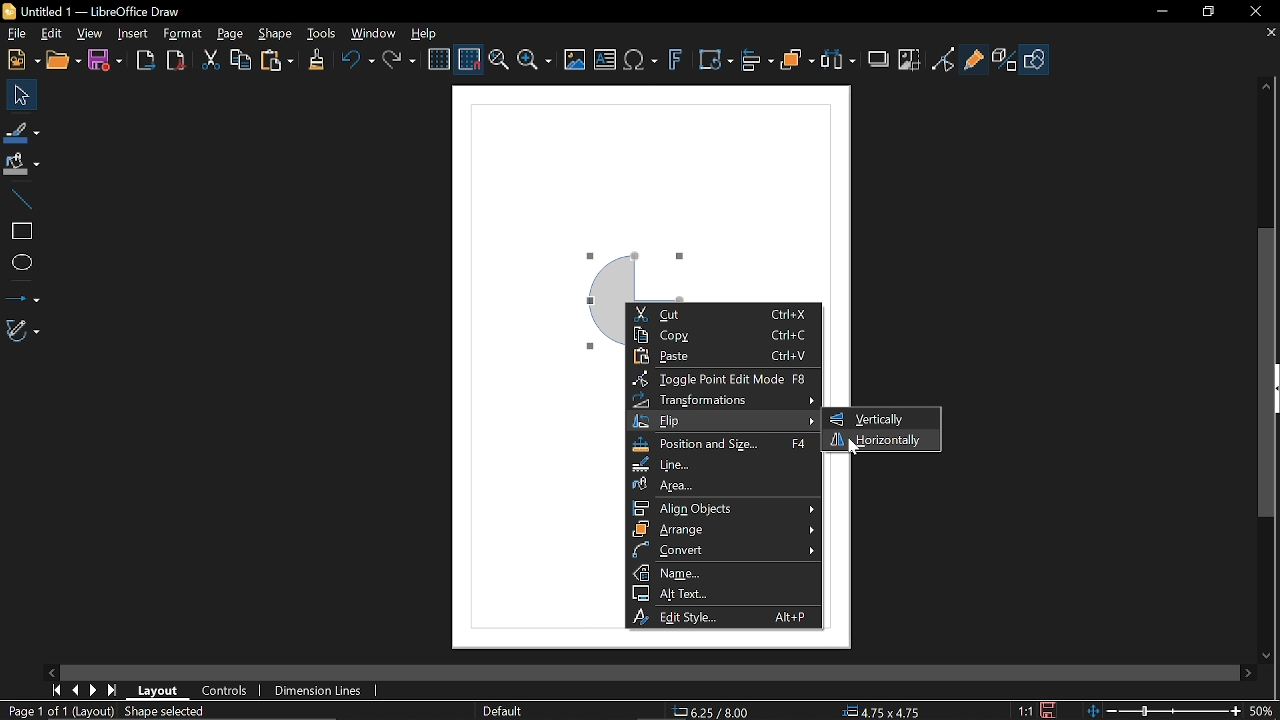 The width and height of the screenshot is (1280, 720). I want to click on Current object, so click(634, 271).